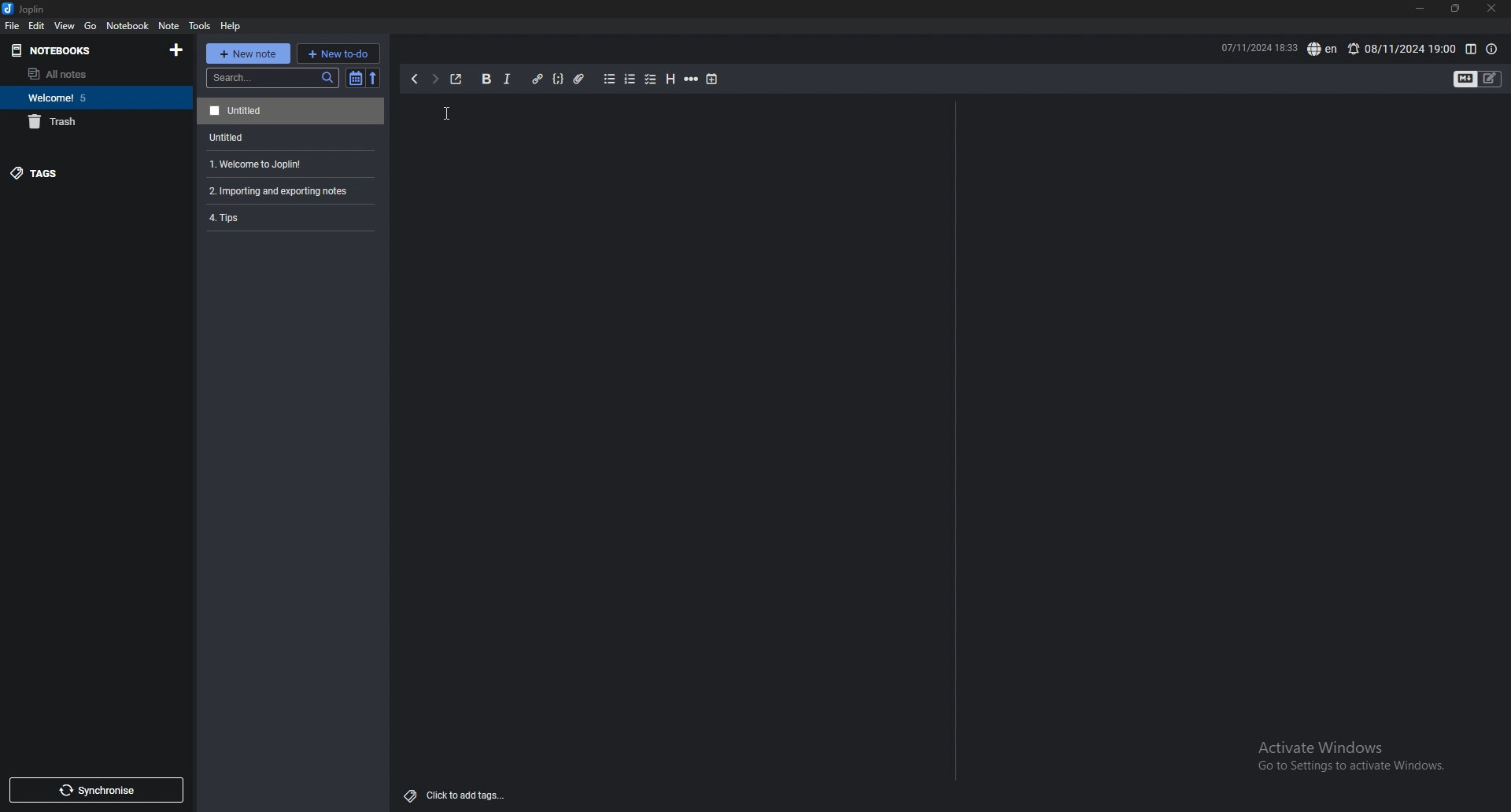 Image resolution: width=1511 pixels, height=812 pixels. What do you see at coordinates (413, 79) in the screenshot?
I see `previous` at bounding box center [413, 79].